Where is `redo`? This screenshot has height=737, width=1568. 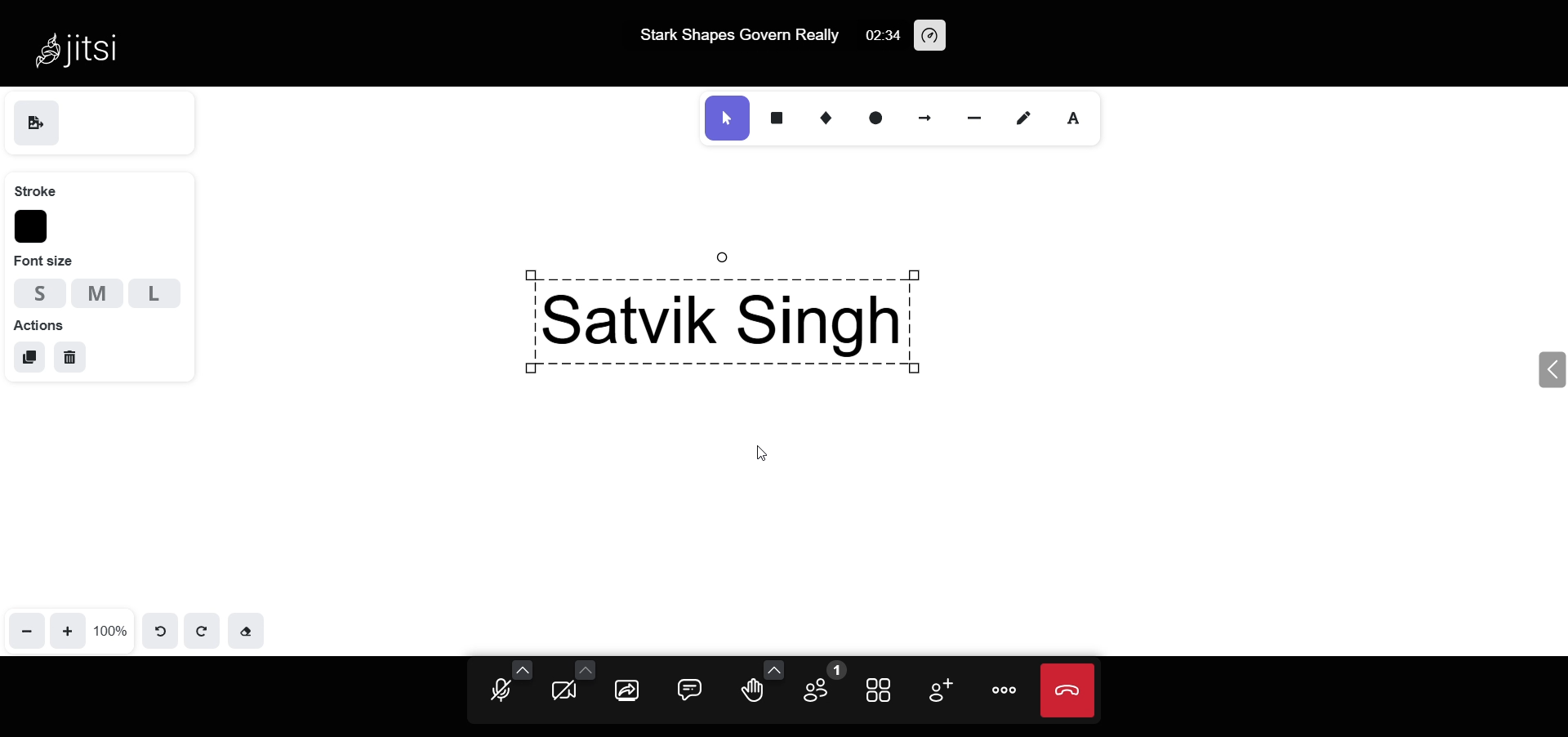
redo is located at coordinates (202, 629).